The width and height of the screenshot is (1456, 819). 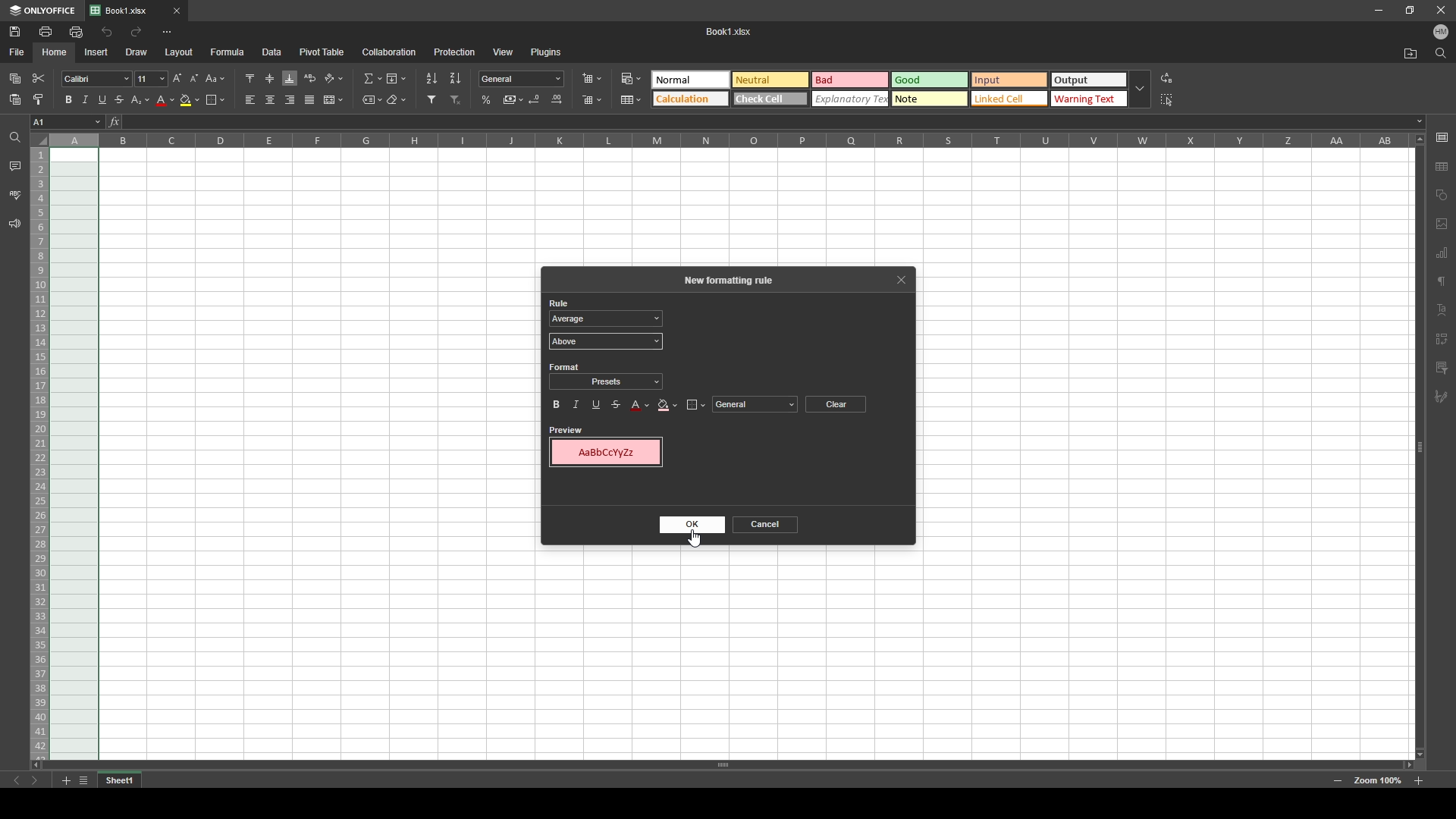 What do you see at coordinates (102, 100) in the screenshot?
I see `underline` at bounding box center [102, 100].